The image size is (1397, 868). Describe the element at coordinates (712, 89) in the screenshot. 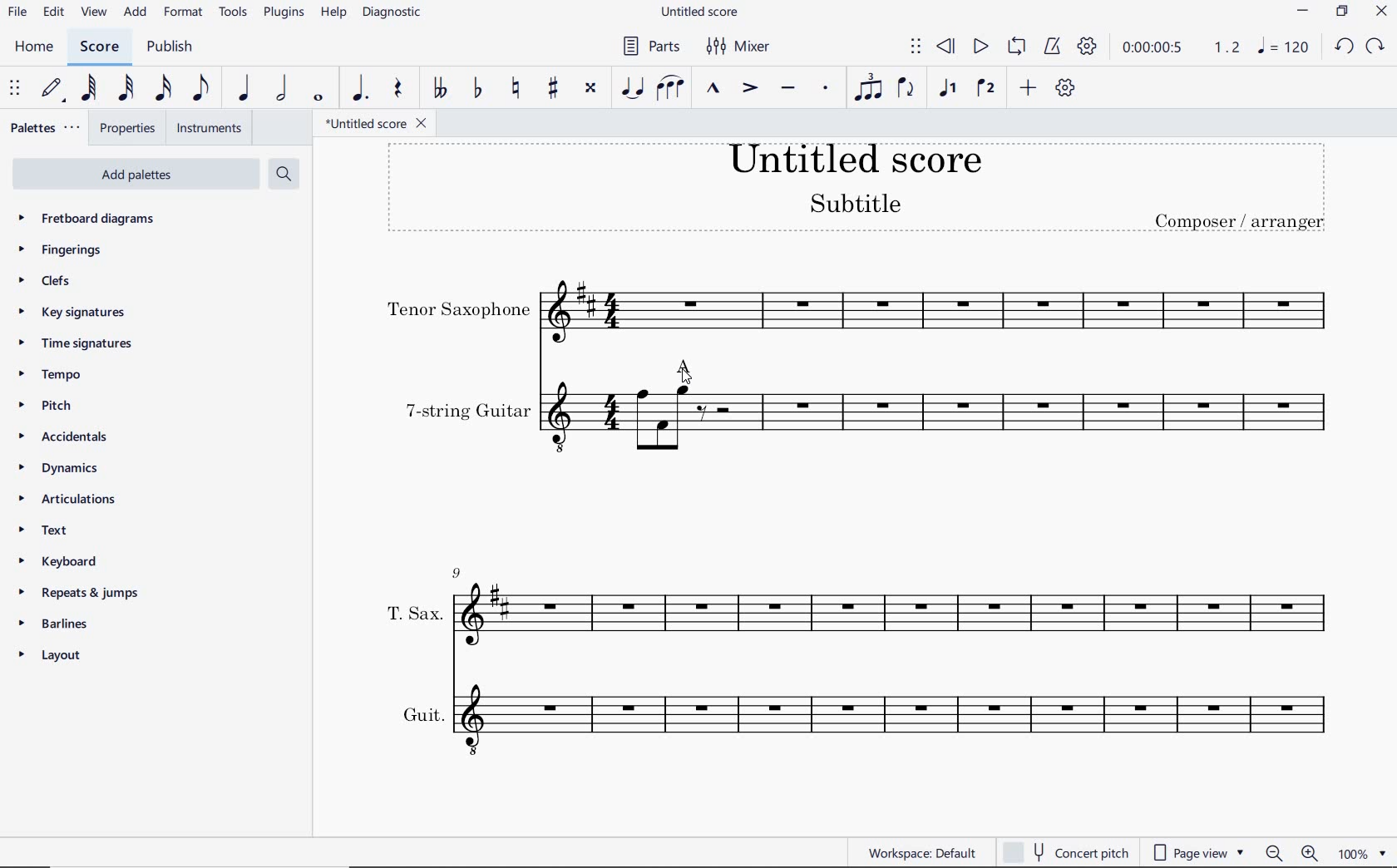

I see `MARCATO` at that location.